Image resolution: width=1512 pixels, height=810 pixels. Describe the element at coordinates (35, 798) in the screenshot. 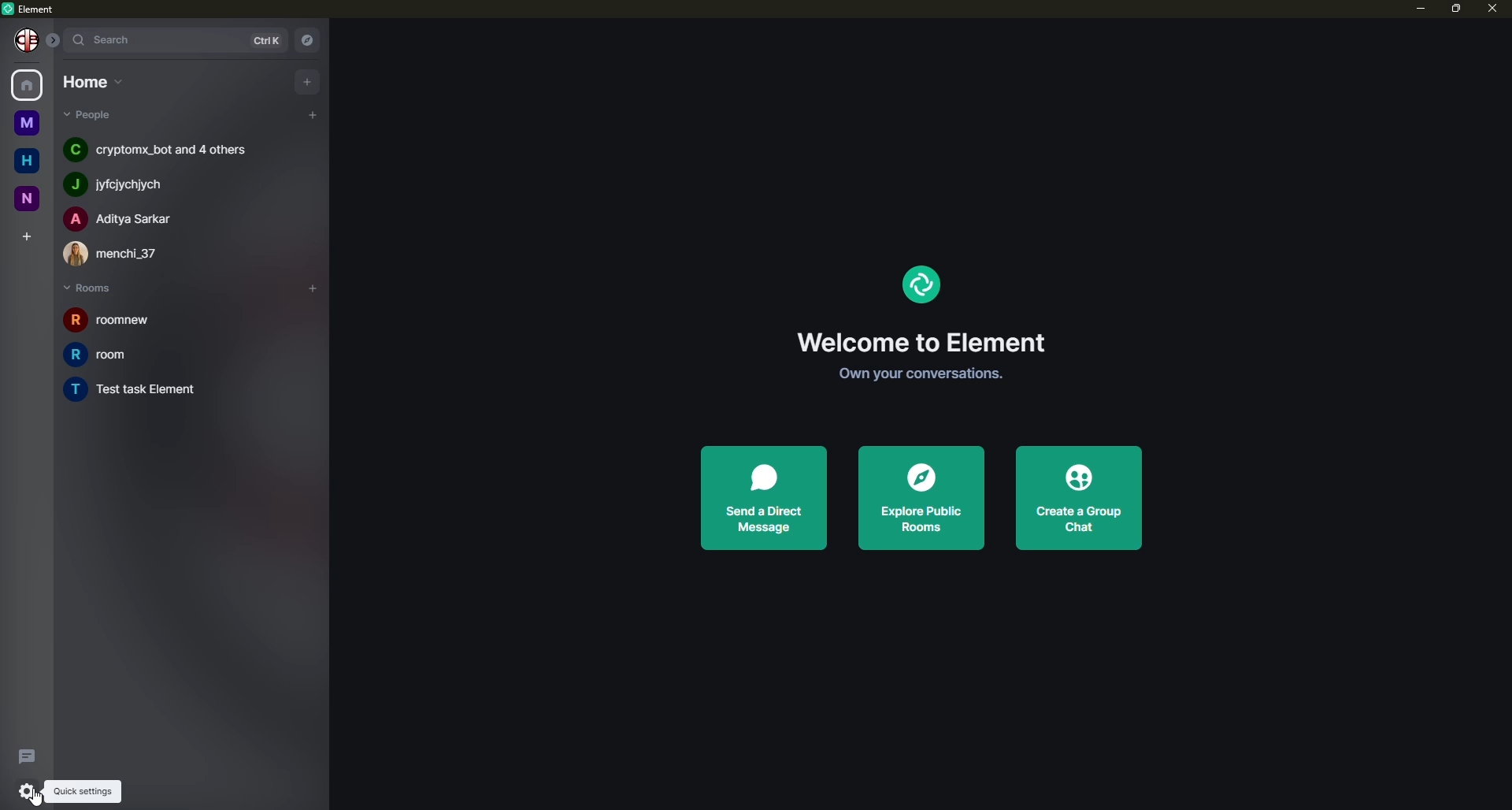

I see `cursor` at that location.